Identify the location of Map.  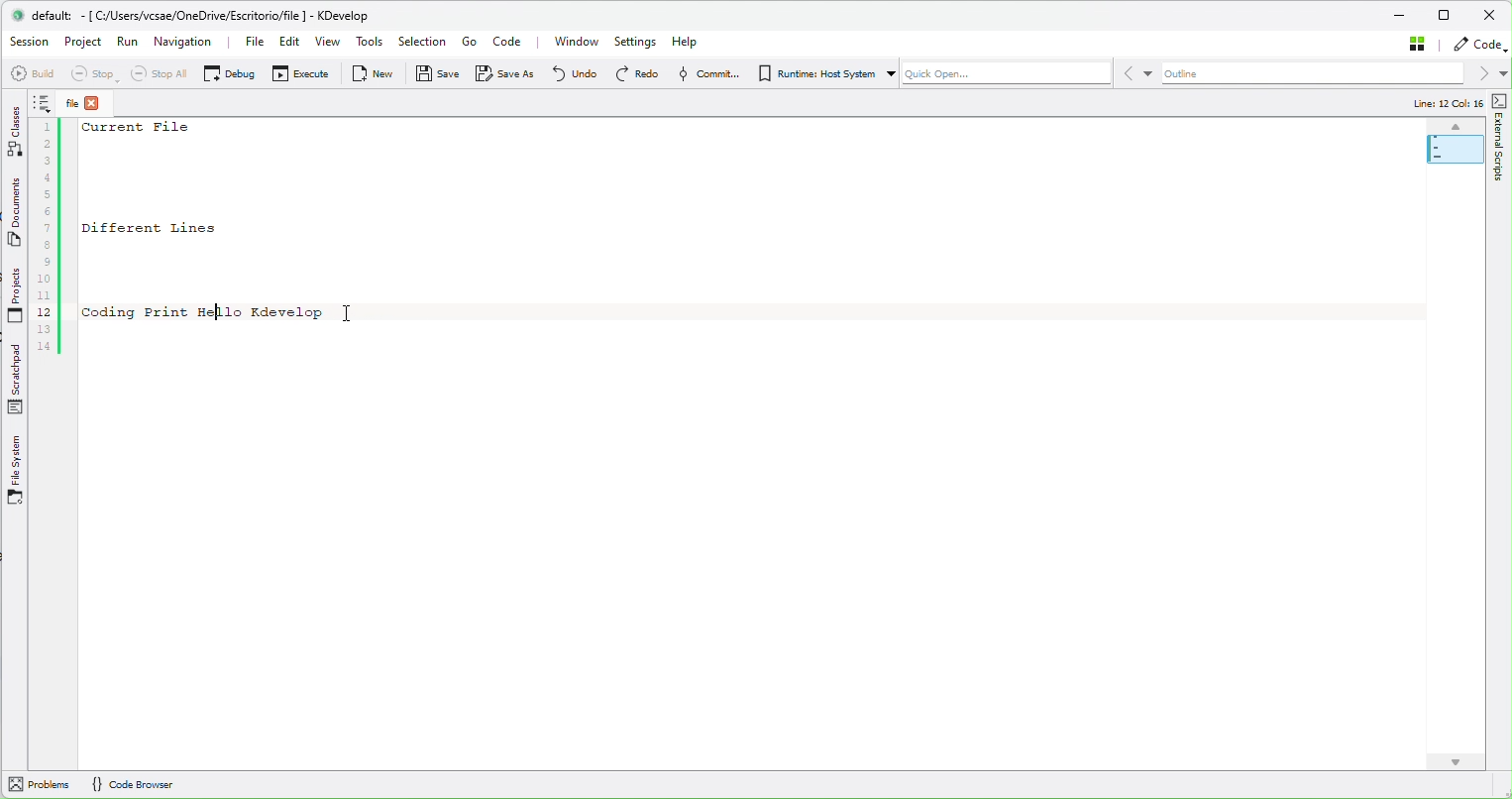
(1456, 145).